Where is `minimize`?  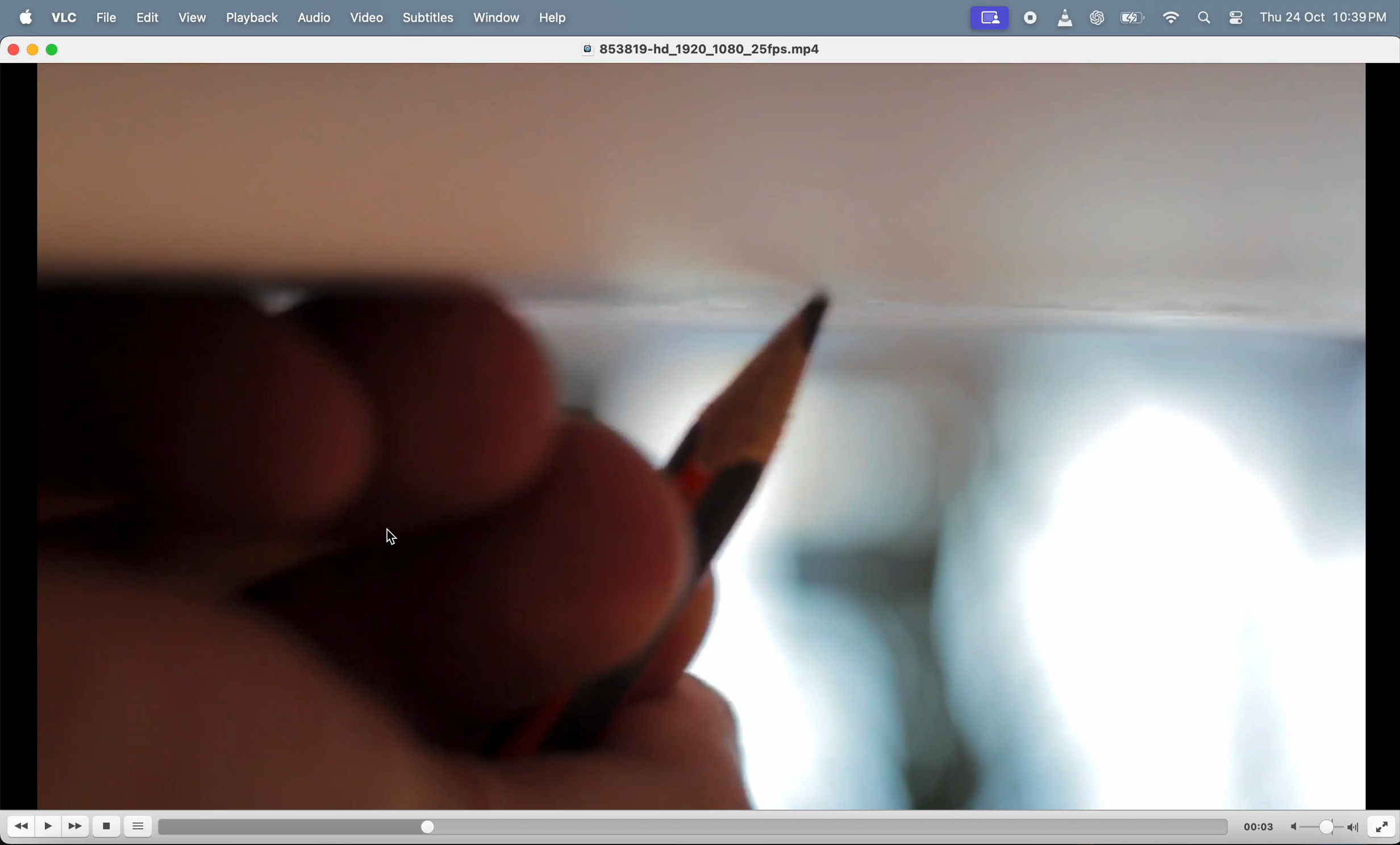 minimize is located at coordinates (35, 51).